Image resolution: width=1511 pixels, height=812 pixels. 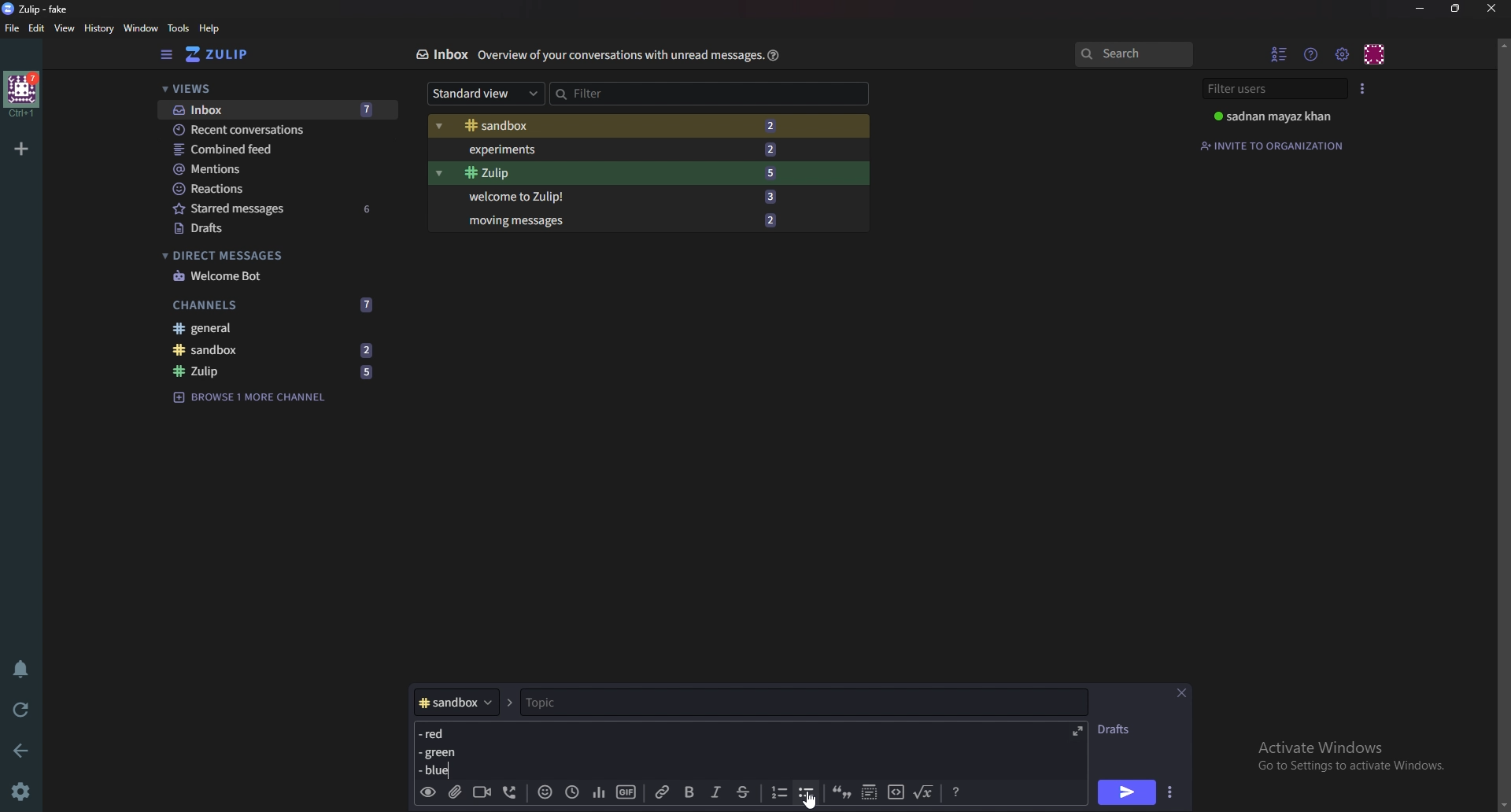 I want to click on Welcome to zulip, so click(x=618, y=195).